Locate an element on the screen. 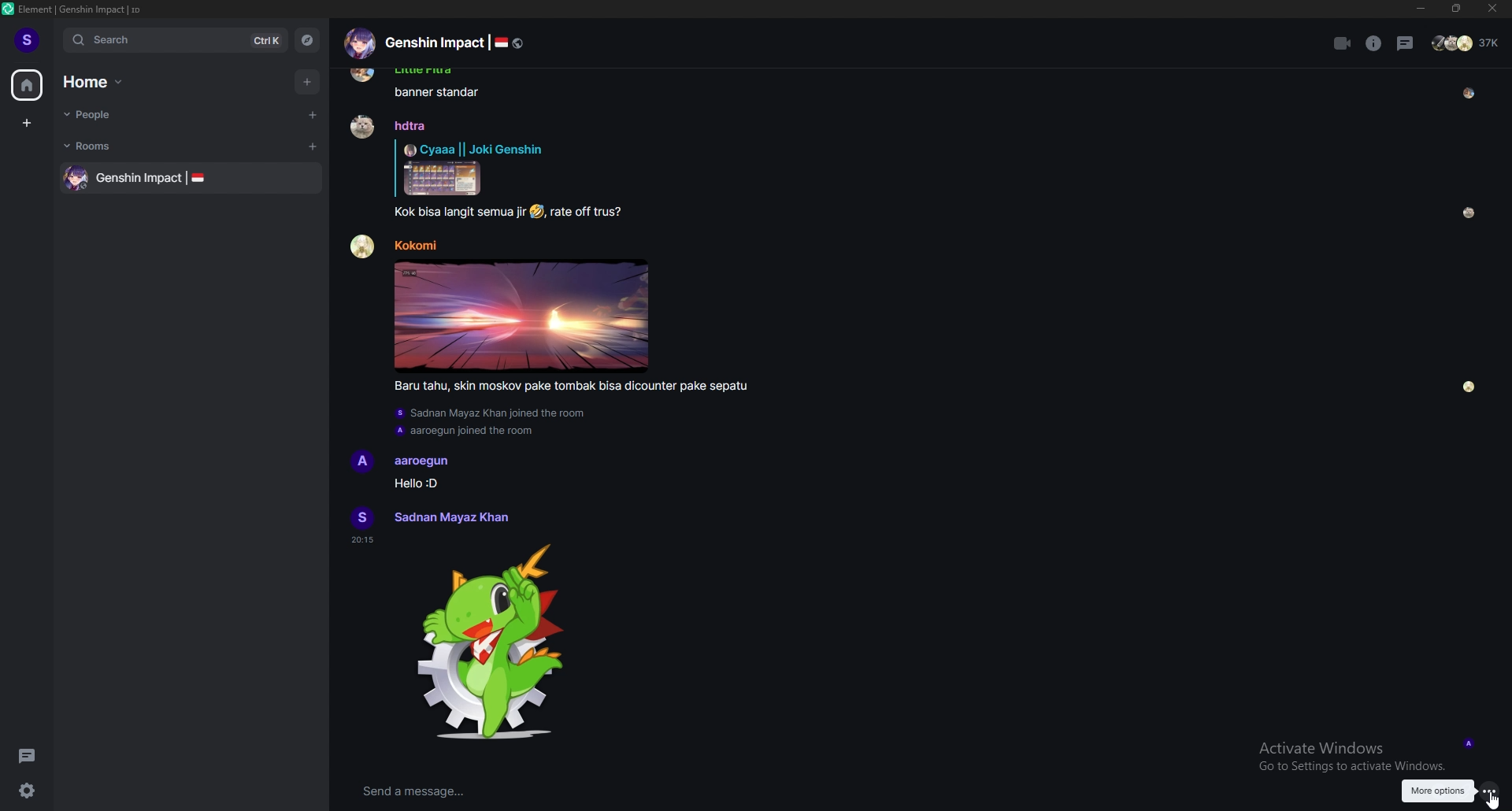 This screenshot has width=1512, height=811. Kok bisa langit semua jir is located at coordinates (459, 213).